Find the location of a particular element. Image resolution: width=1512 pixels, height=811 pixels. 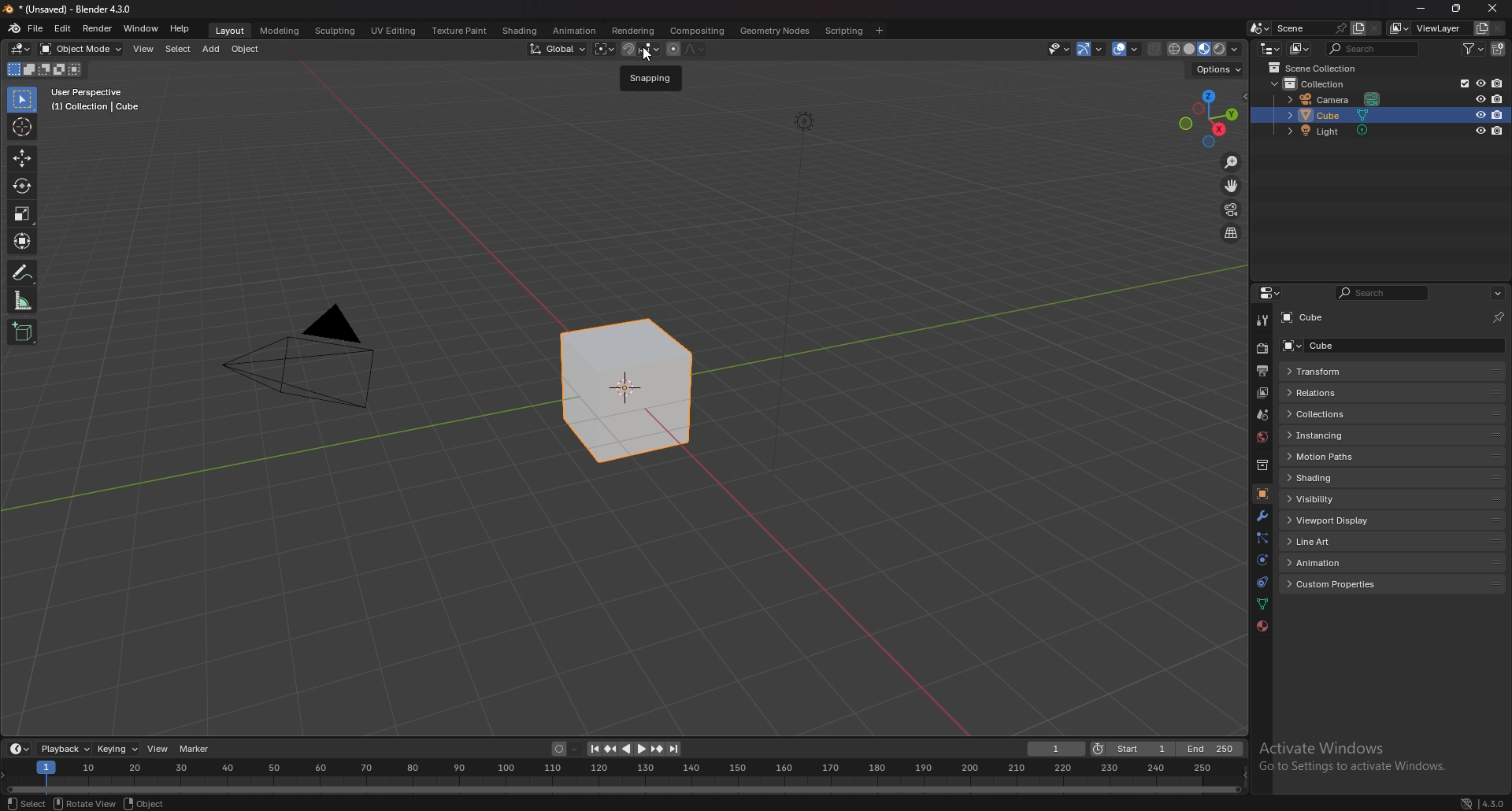

help is located at coordinates (181, 28).